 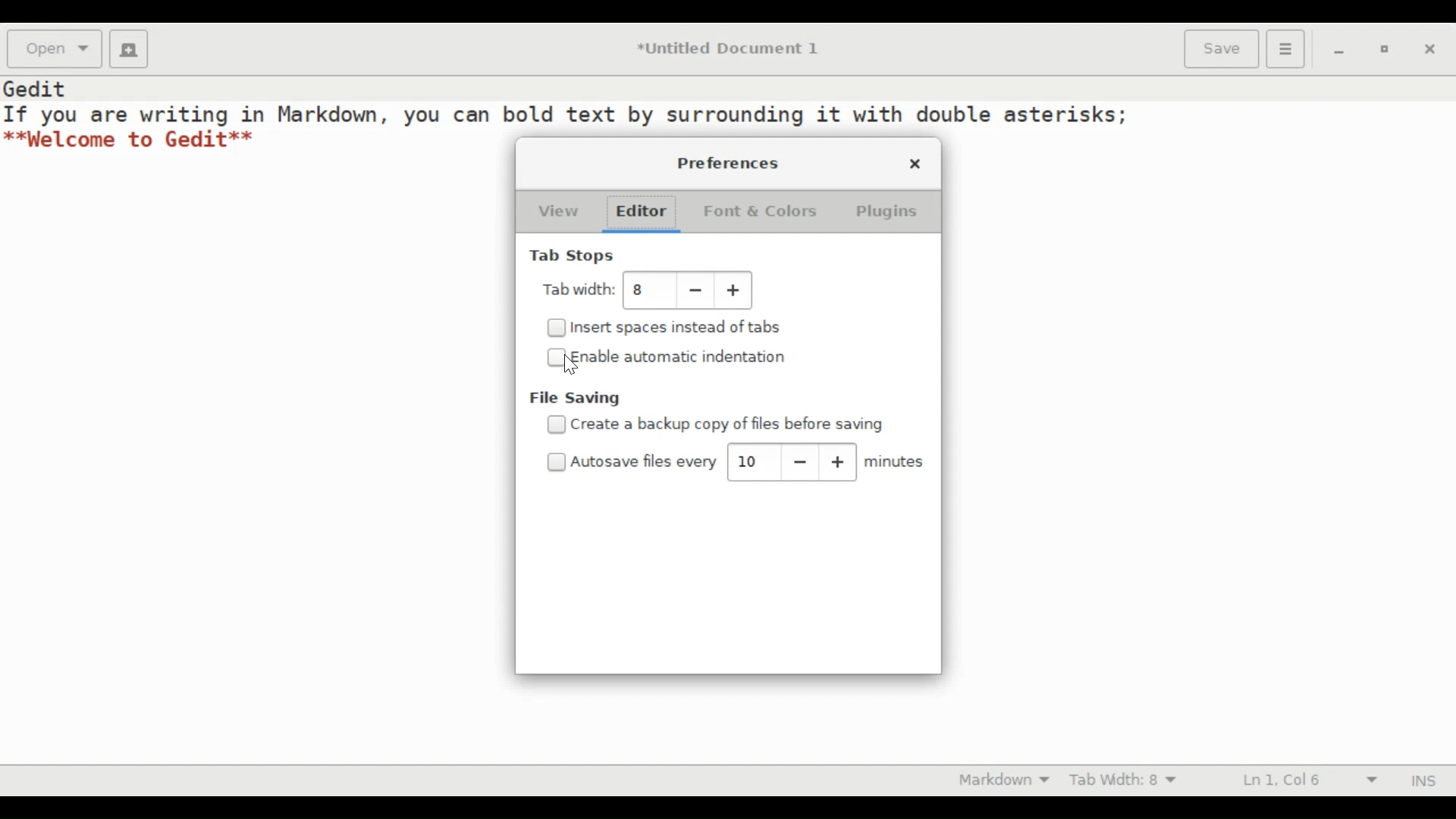 What do you see at coordinates (1000, 779) in the screenshot?
I see `Highlight mode otion` at bounding box center [1000, 779].